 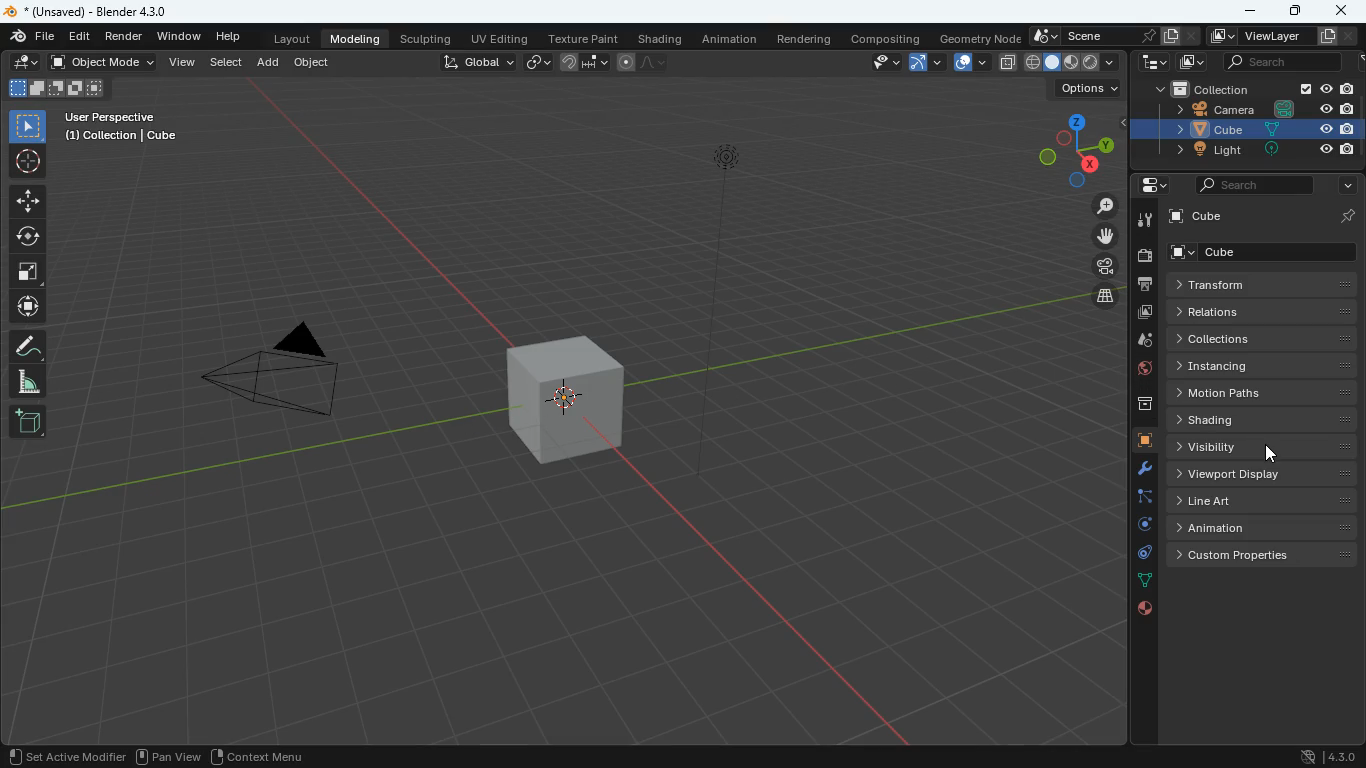 What do you see at coordinates (1347, 216) in the screenshot?
I see `pin` at bounding box center [1347, 216].